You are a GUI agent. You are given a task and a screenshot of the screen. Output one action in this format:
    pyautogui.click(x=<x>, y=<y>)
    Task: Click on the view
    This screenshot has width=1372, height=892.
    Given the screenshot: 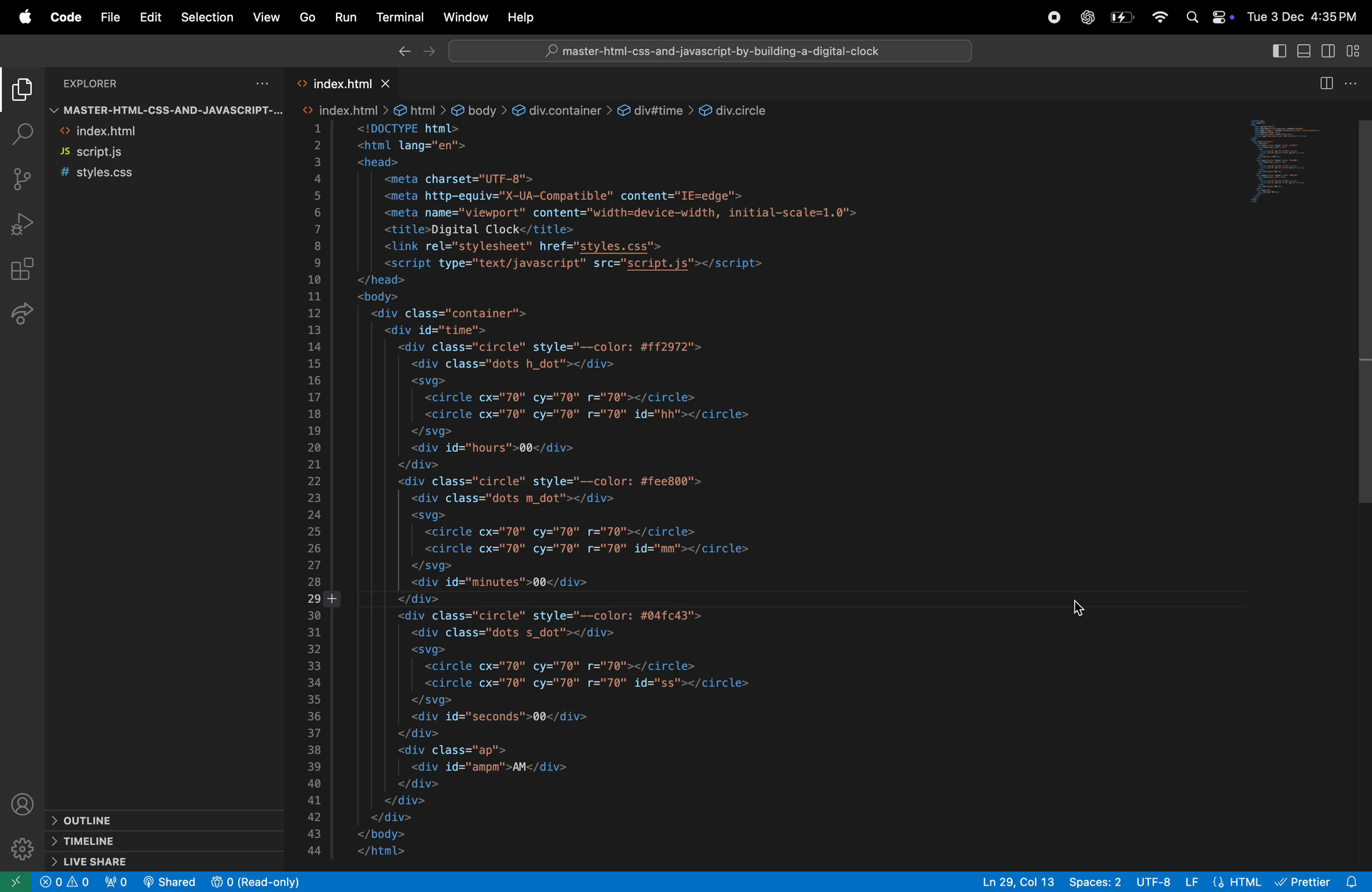 What is the action you would take?
    pyautogui.click(x=267, y=18)
    